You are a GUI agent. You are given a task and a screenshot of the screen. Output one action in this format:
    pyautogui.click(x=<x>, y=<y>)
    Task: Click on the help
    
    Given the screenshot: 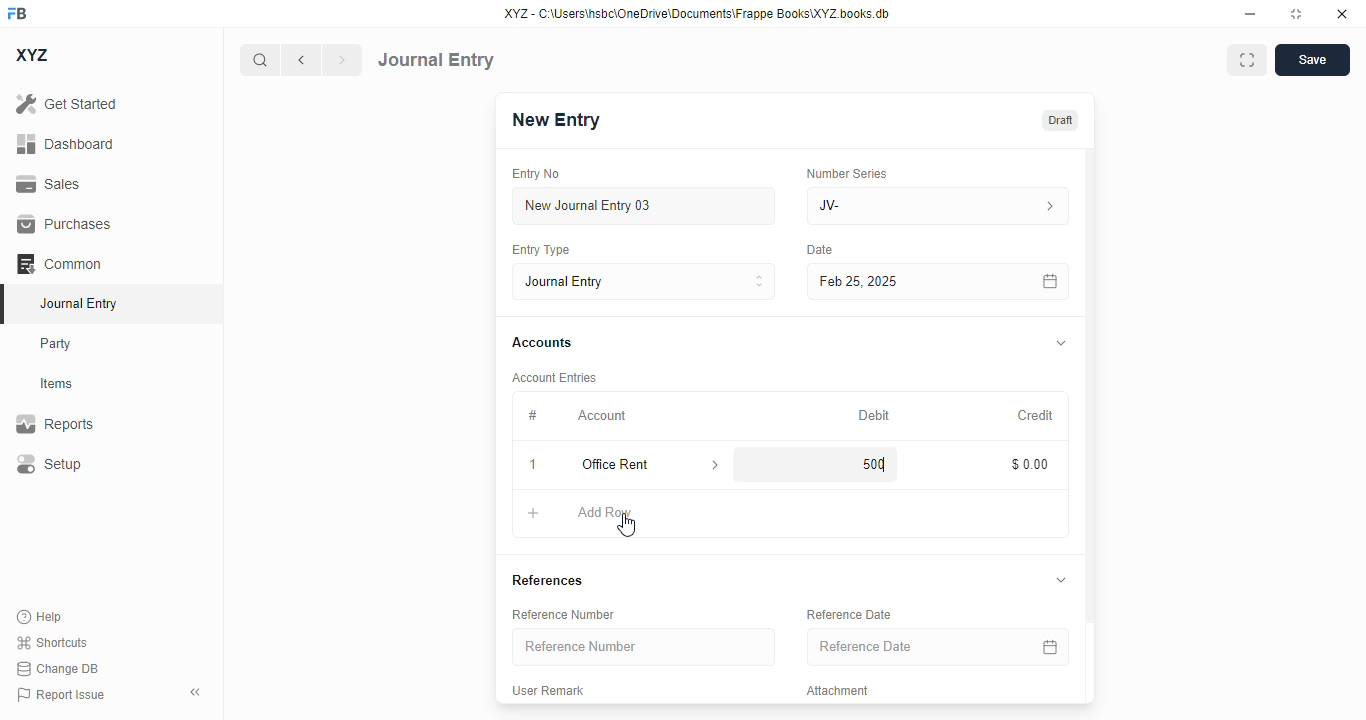 What is the action you would take?
    pyautogui.click(x=40, y=617)
    